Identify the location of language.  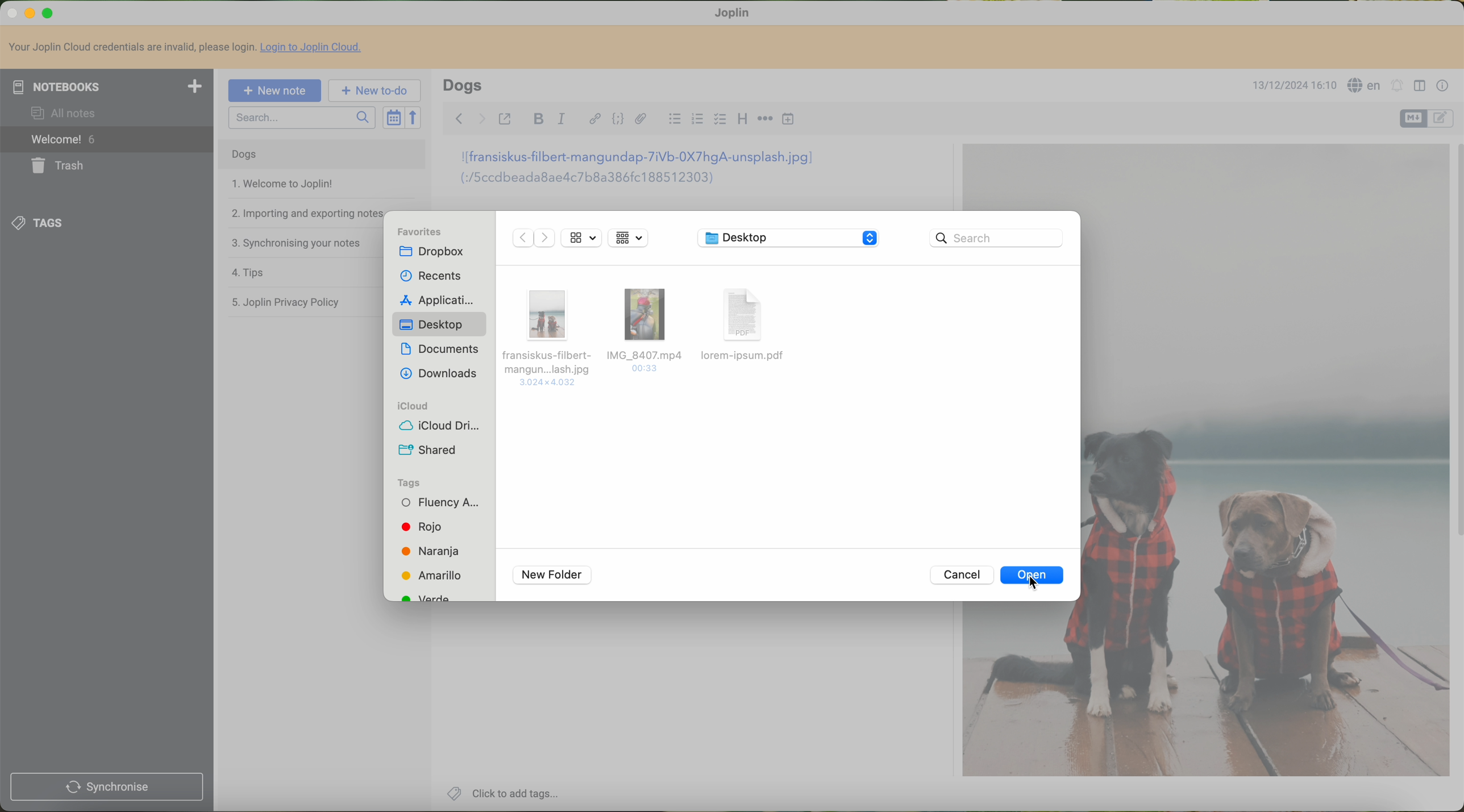
(1365, 85).